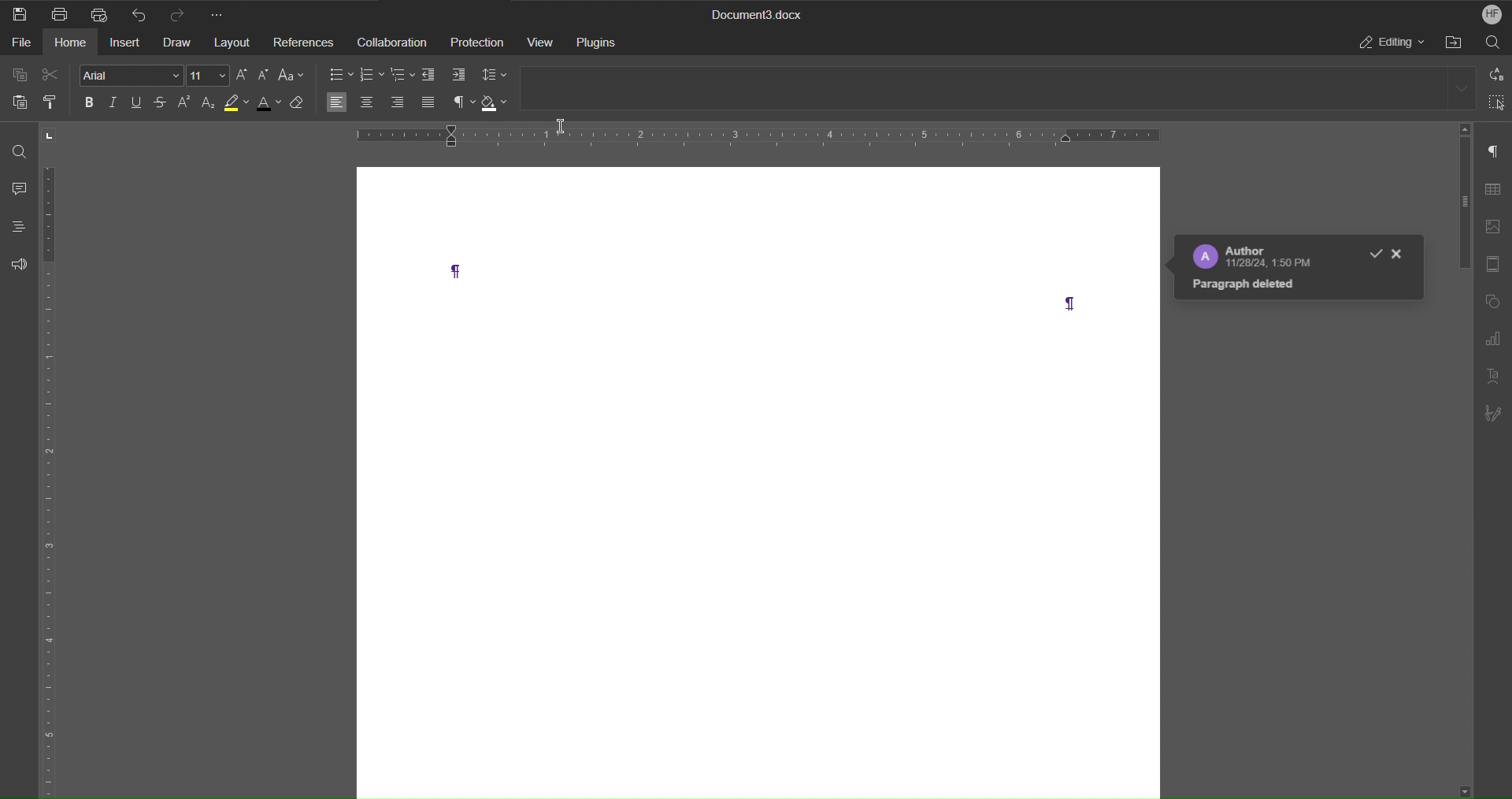  Describe the element at coordinates (453, 269) in the screenshot. I see `Paragraph Symbol` at that location.